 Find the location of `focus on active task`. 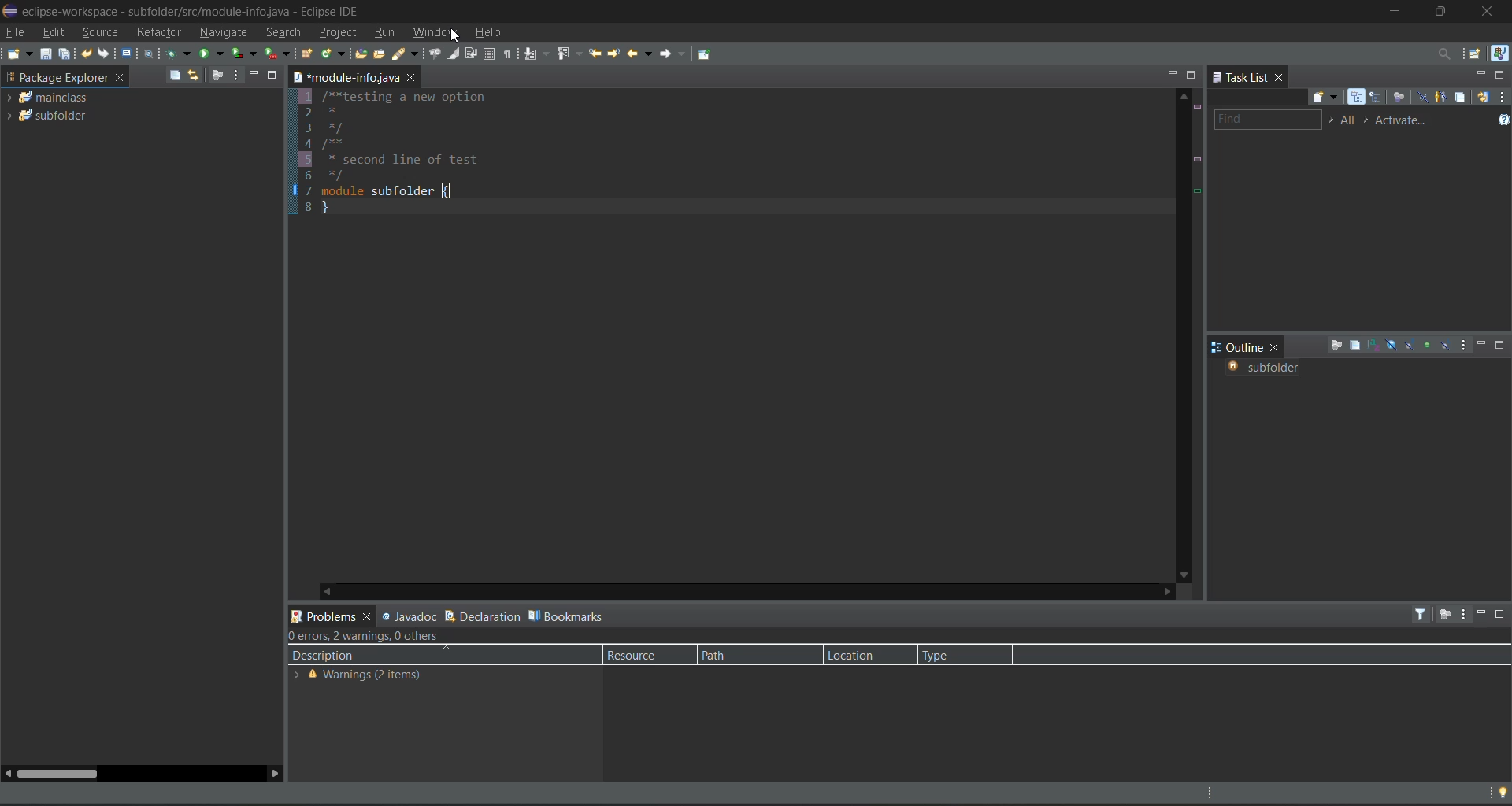

focus on active task is located at coordinates (216, 76).